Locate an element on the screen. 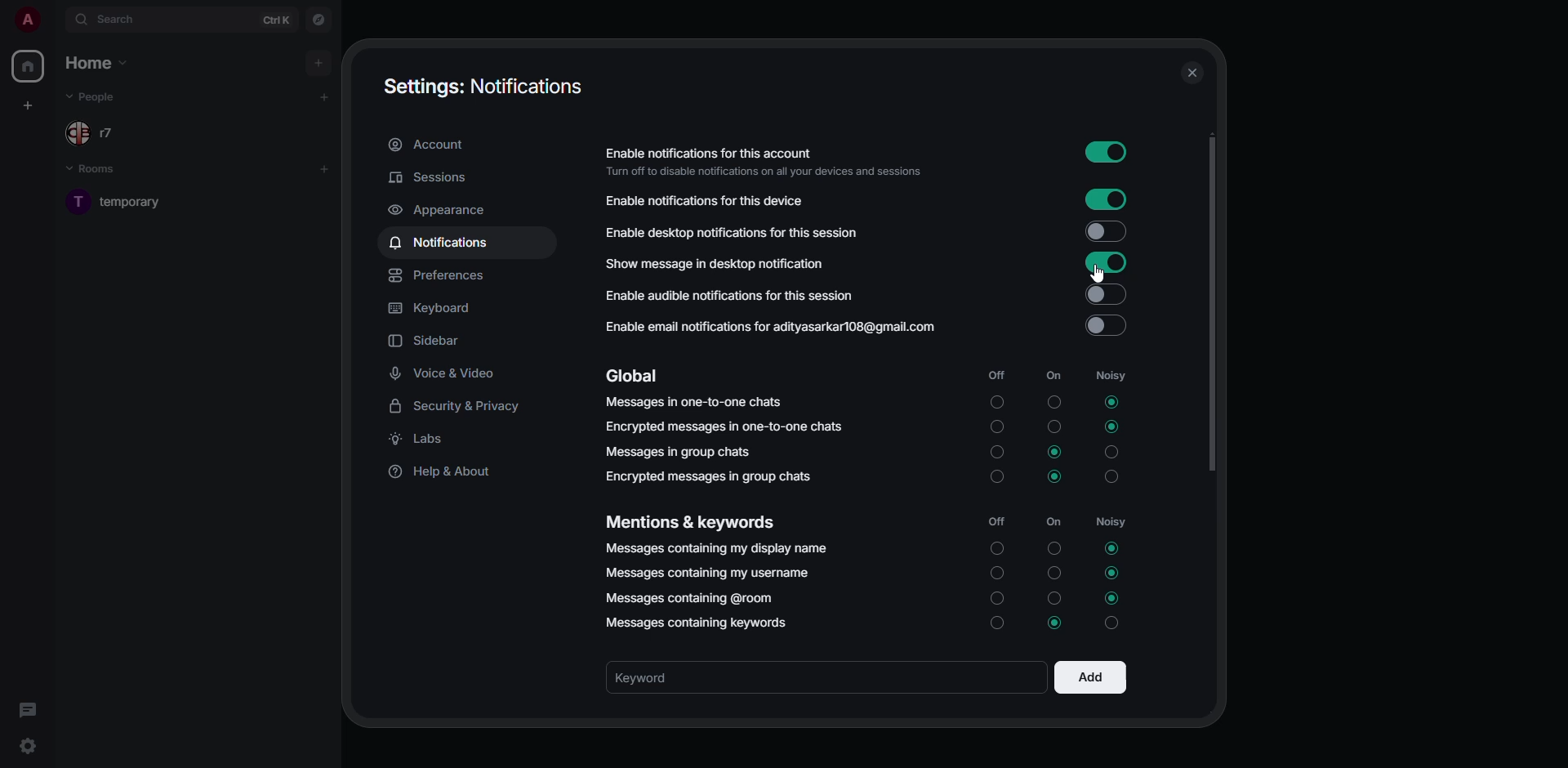 Image resolution: width=1568 pixels, height=768 pixels. preferences is located at coordinates (442, 276).